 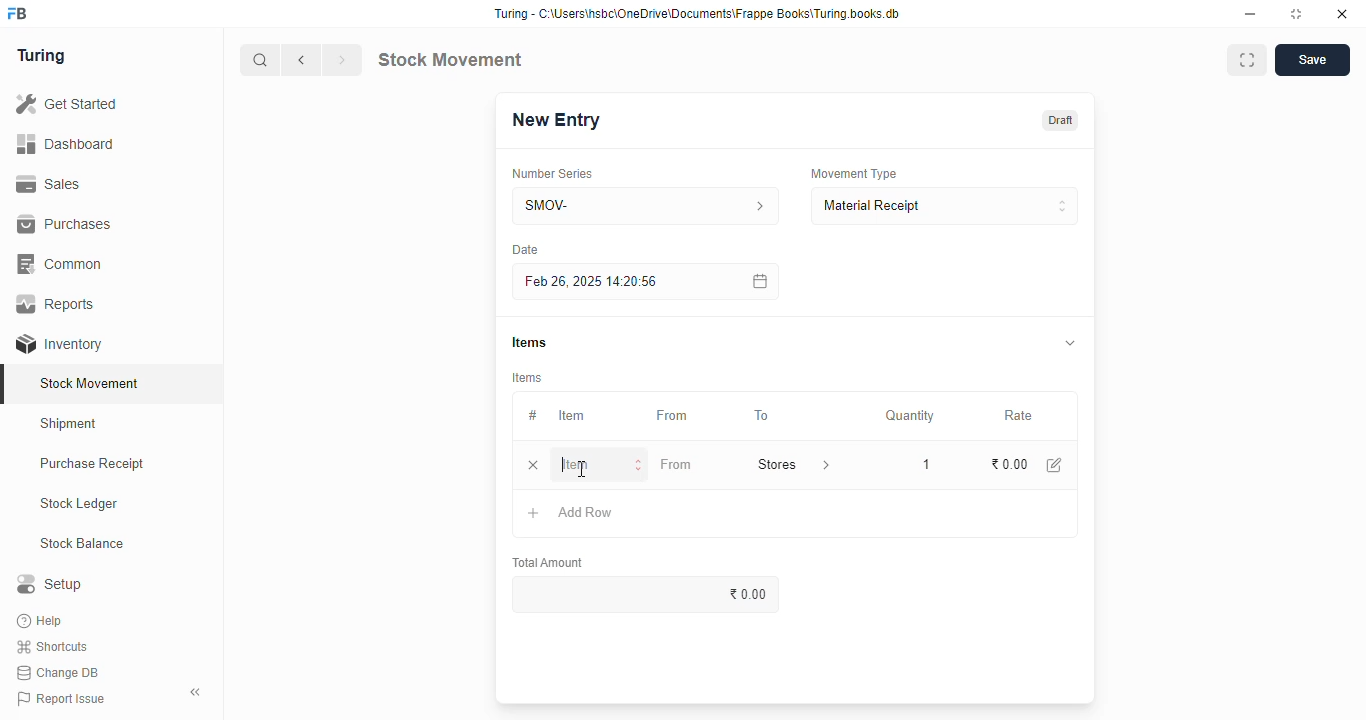 What do you see at coordinates (196, 692) in the screenshot?
I see `toggle sidebar` at bounding box center [196, 692].